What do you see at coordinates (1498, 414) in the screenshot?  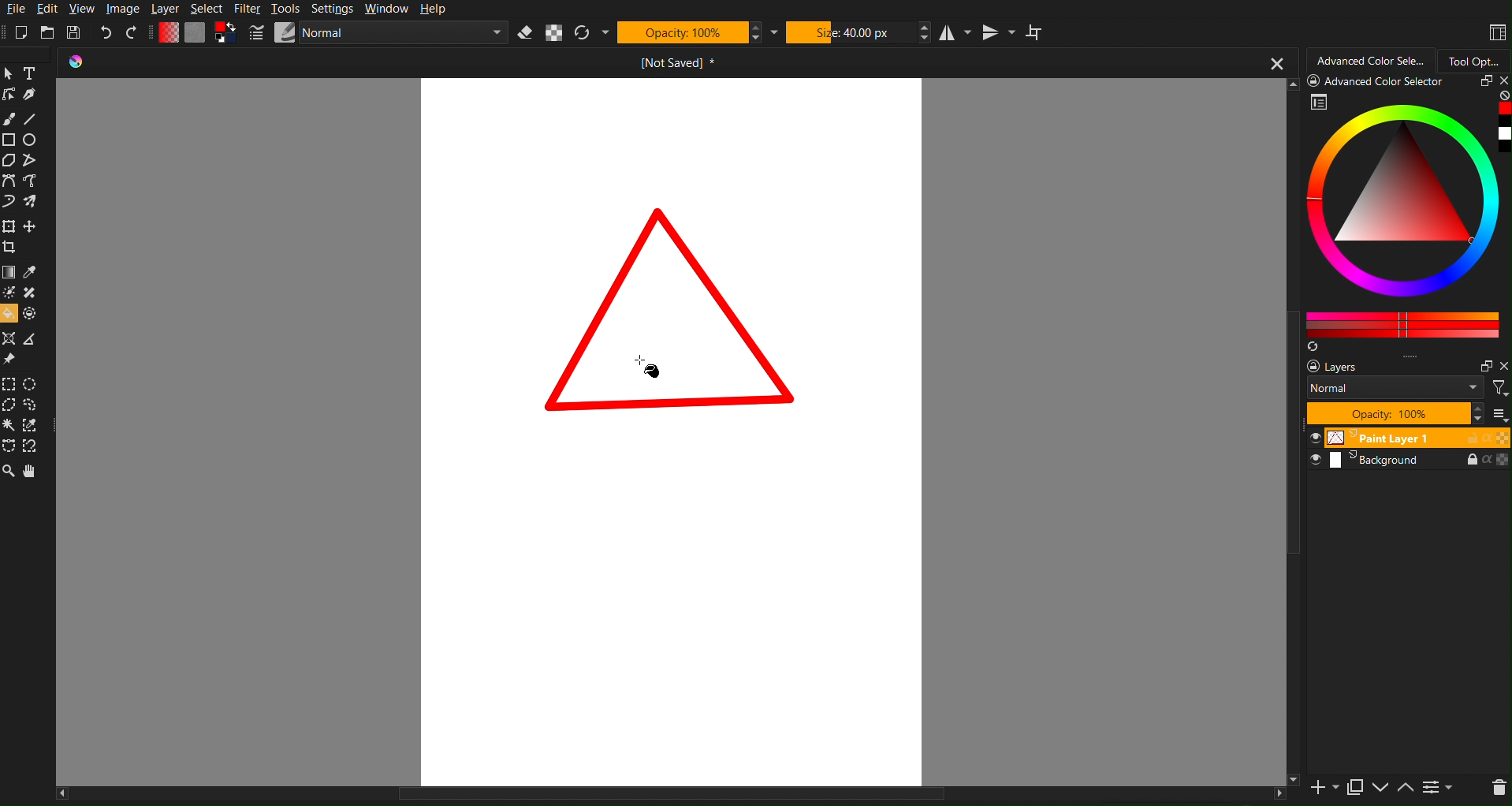 I see `more` at bounding box center [1498, 414].